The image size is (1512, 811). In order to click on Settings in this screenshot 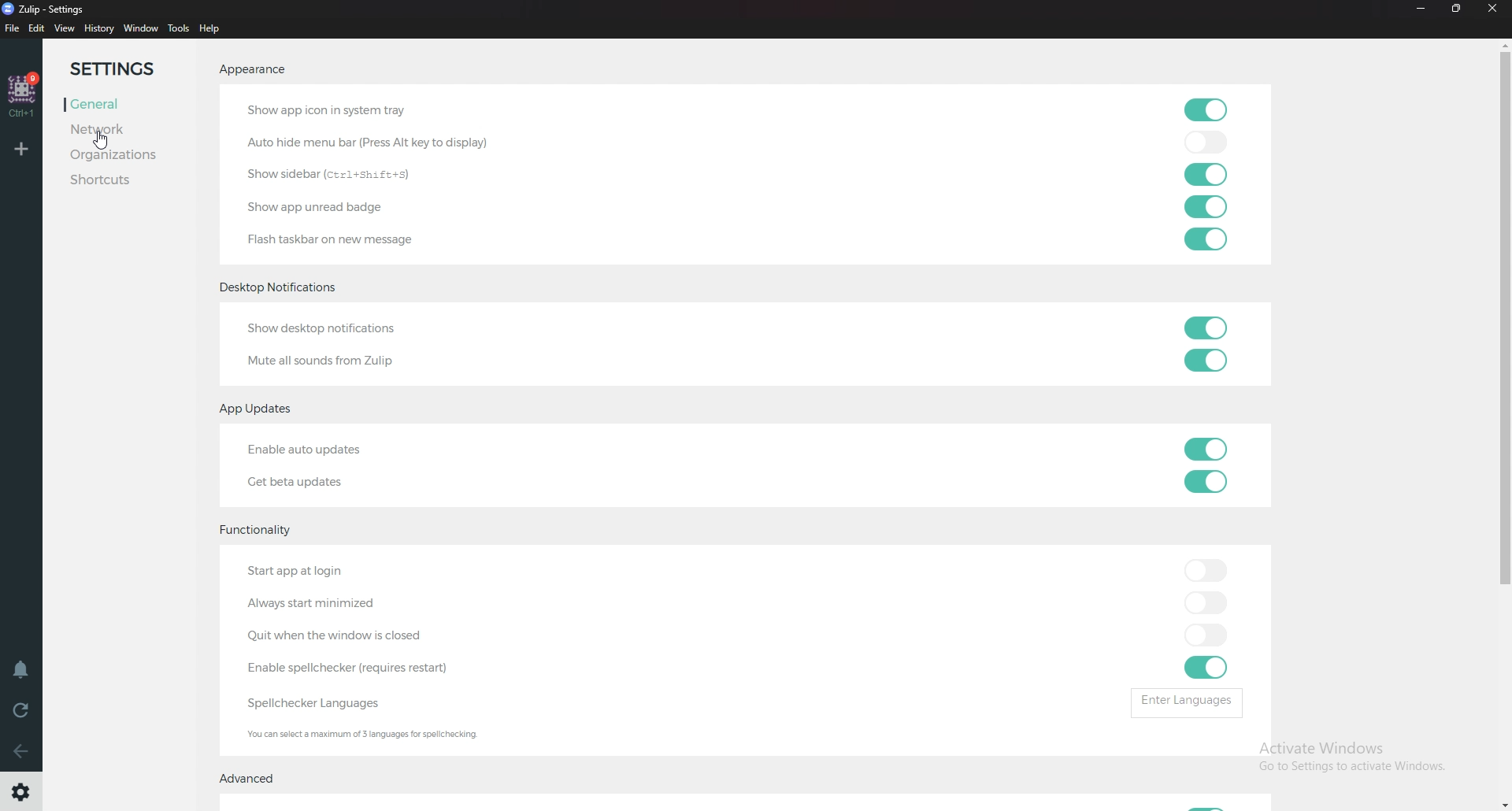, I will do `click(128, 70)`.